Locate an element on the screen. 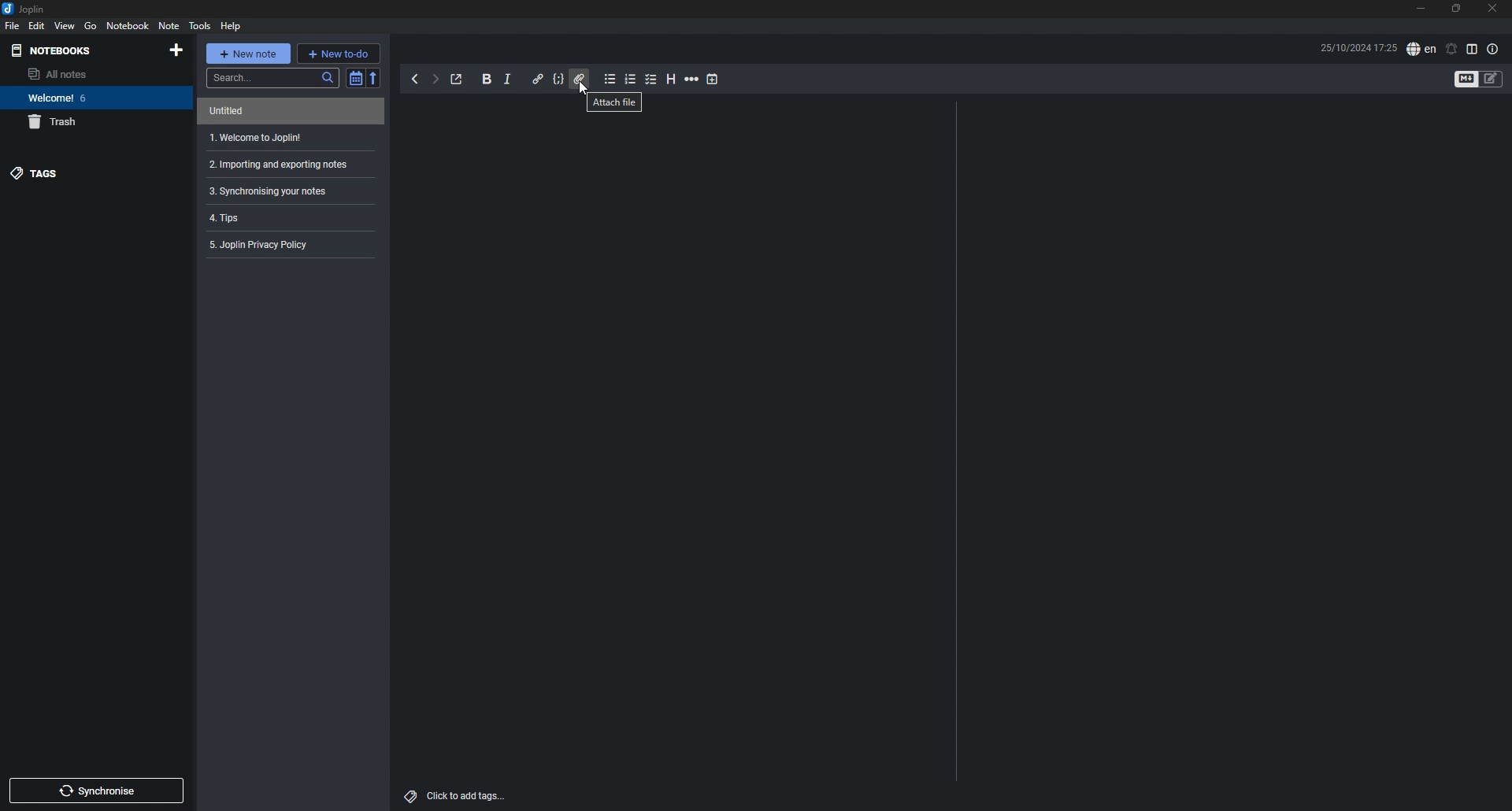 The height and width of the screenshot is (811, 1512). toggle editors is located at coordinates (1466, 79).